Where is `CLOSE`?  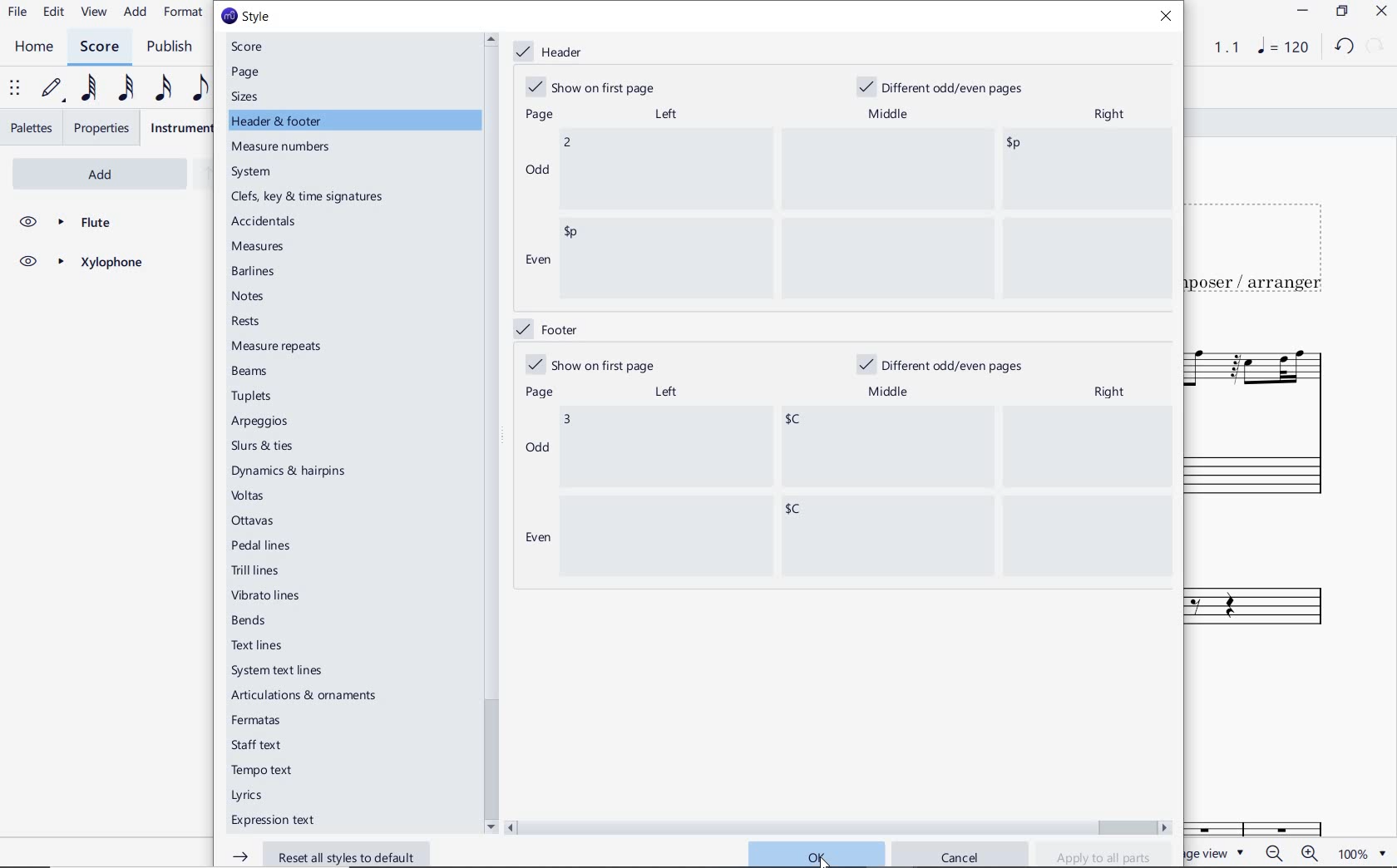 CLOSE is located at coordinates (1380, 11).